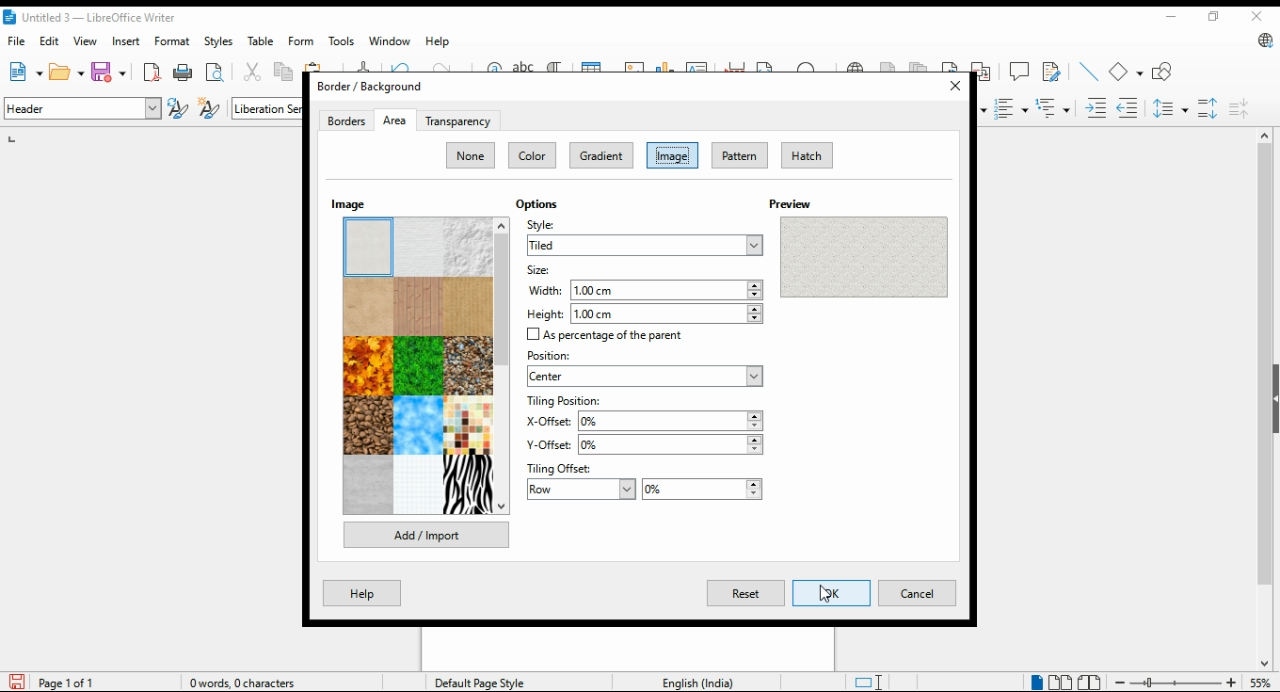 The width and height of the screenshot is (1280, 692). I want to click on window, so click(390, 41).